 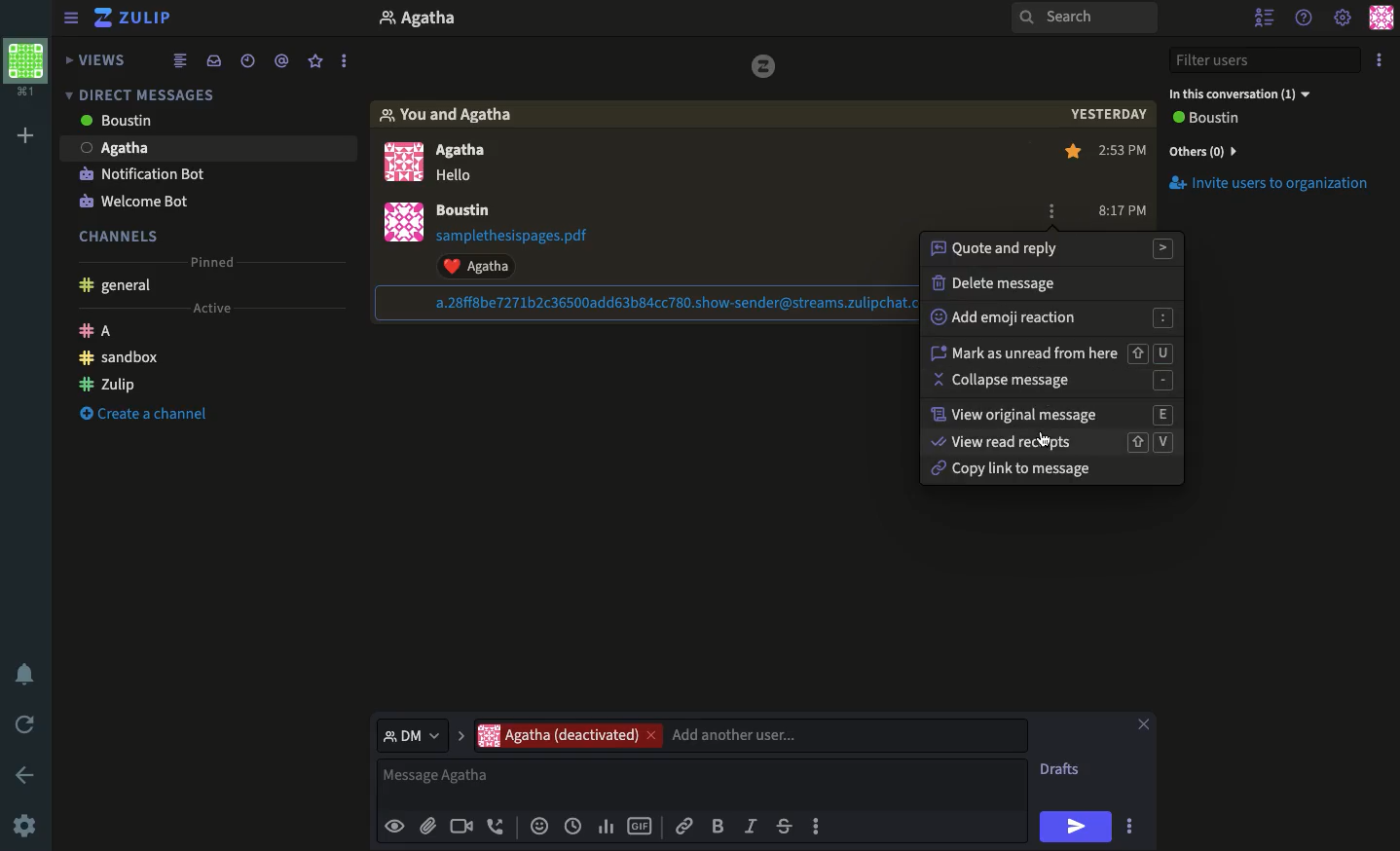 What do you see at coordinates (487, 266) in the screenshot?
I see `Reaction` at bounding box center [487, 266].